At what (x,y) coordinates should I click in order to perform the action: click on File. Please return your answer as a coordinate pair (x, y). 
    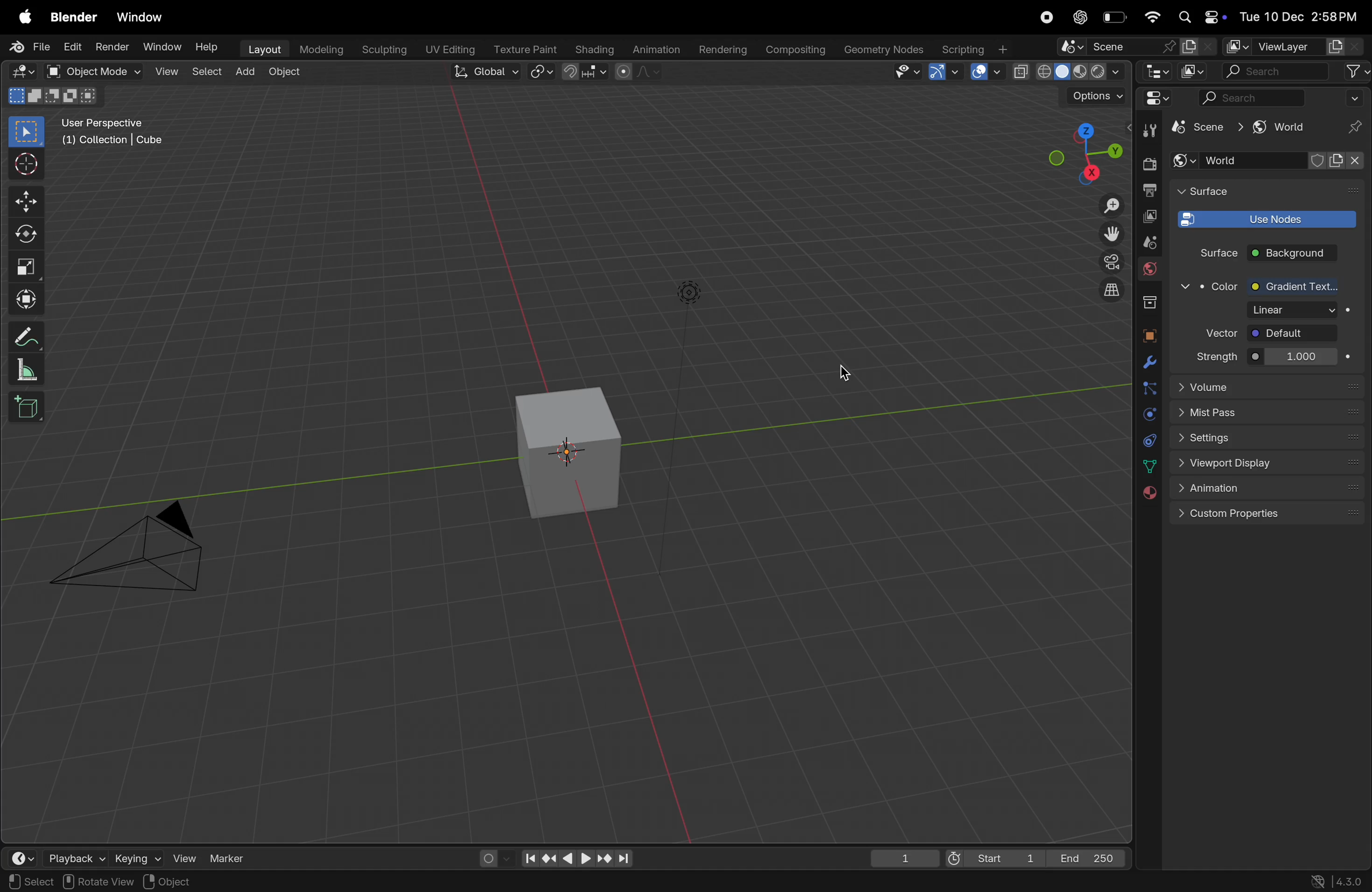
    Looking at the image, I should click on (31, 48).